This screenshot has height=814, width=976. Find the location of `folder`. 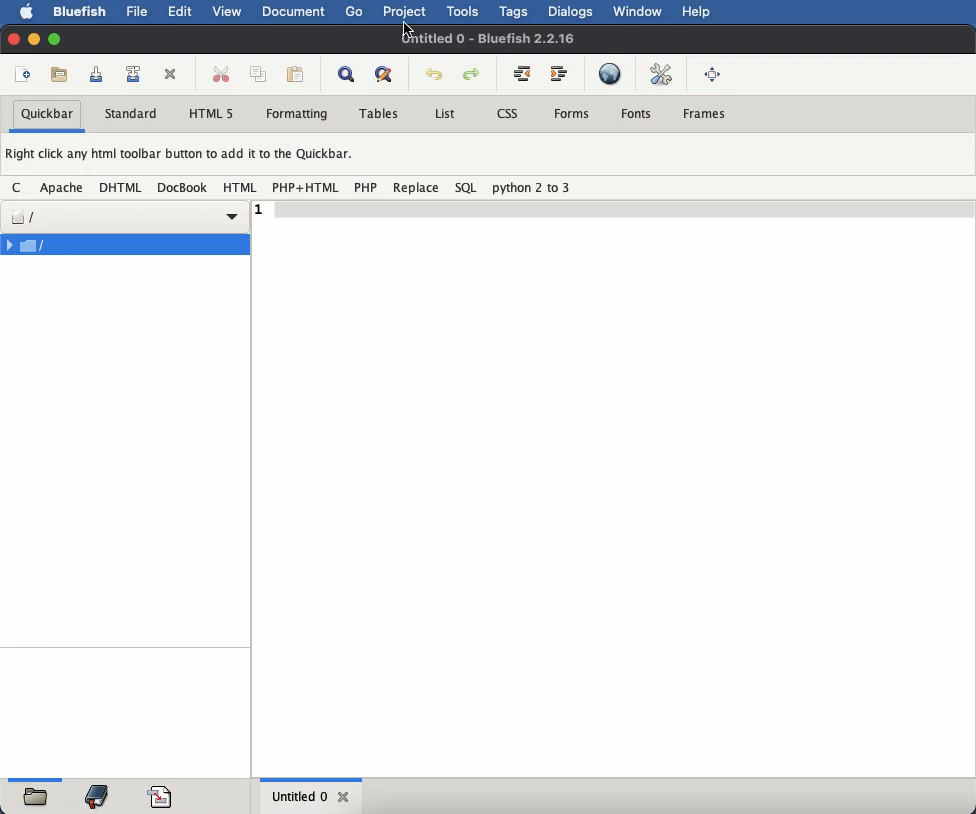

folder is located at coordinates (35, 798).